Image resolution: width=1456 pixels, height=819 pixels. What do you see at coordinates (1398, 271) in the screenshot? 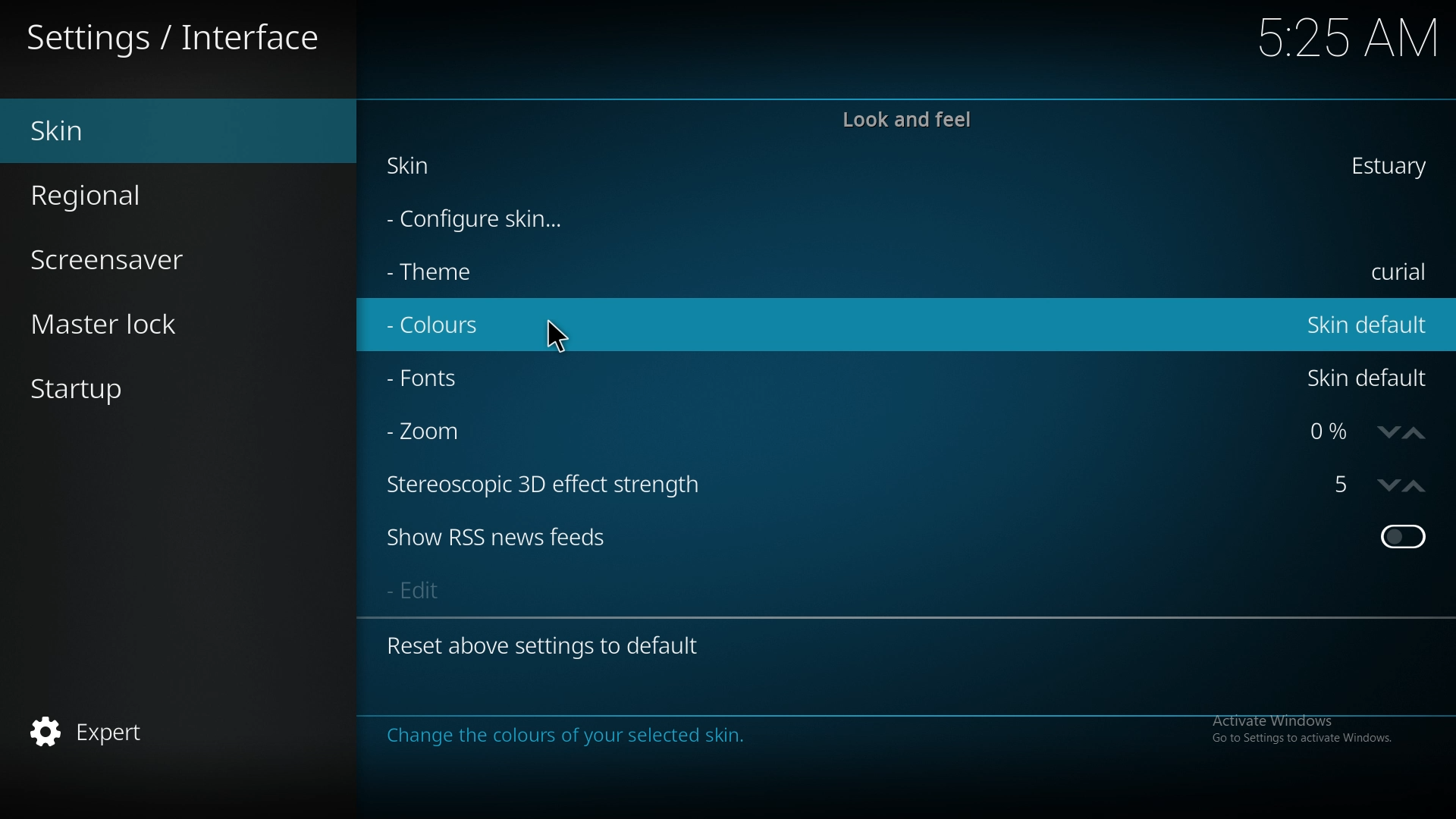
I see `curial` at bounding box center [1398, 271].